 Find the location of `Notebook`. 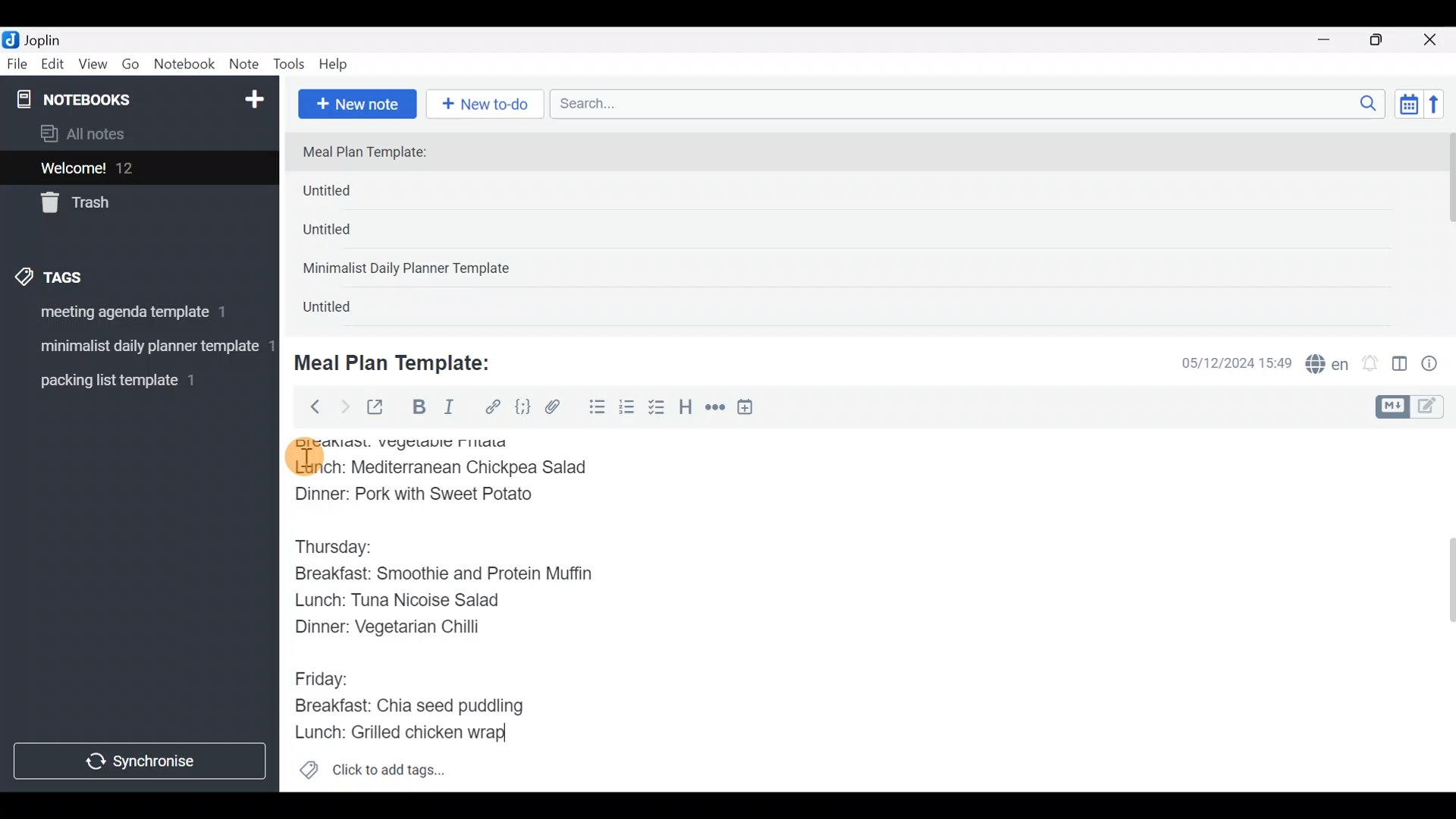

Notebook is located at coordinates (185, 64).